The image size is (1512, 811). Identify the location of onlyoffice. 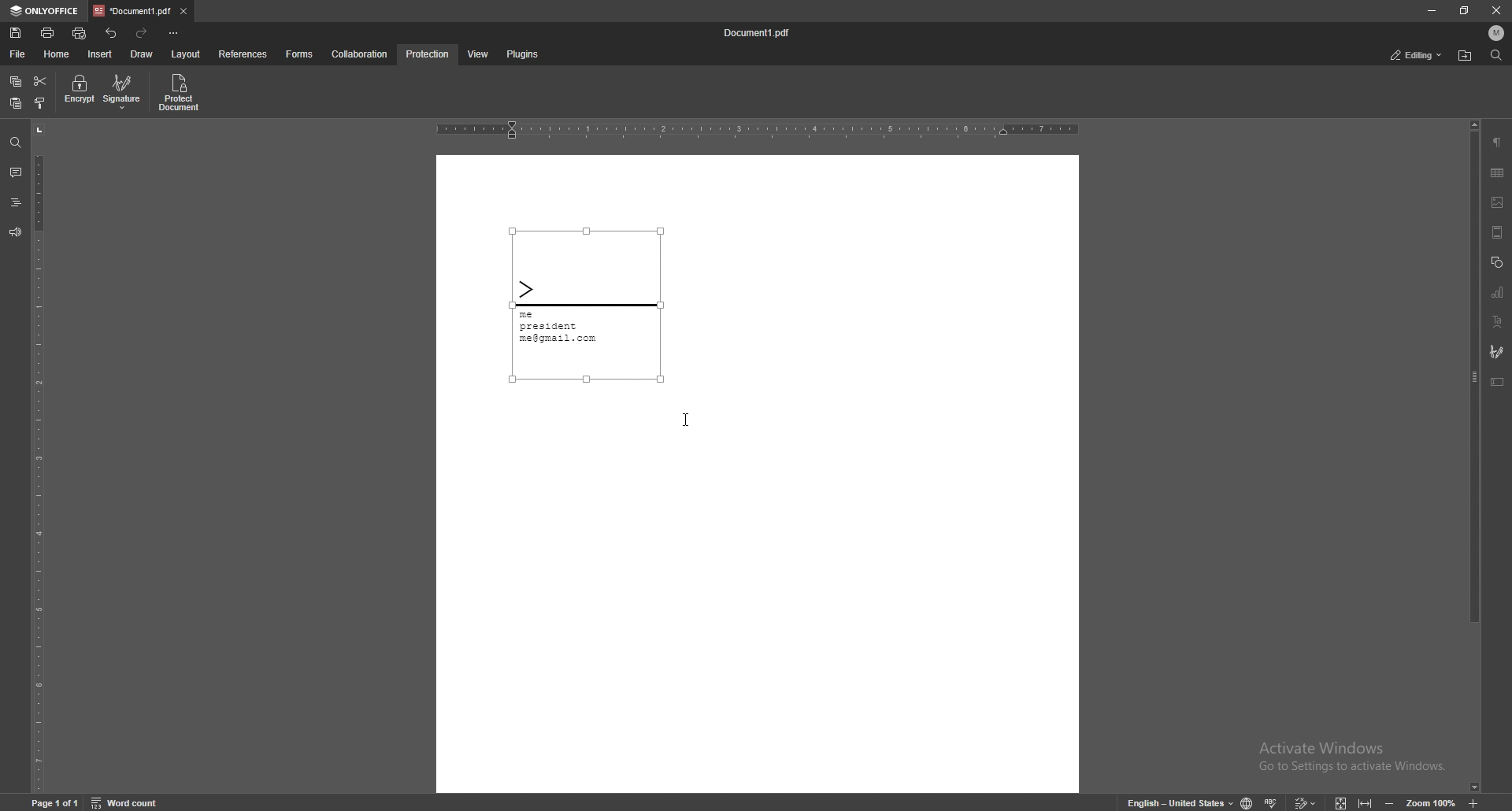
(46, 11).